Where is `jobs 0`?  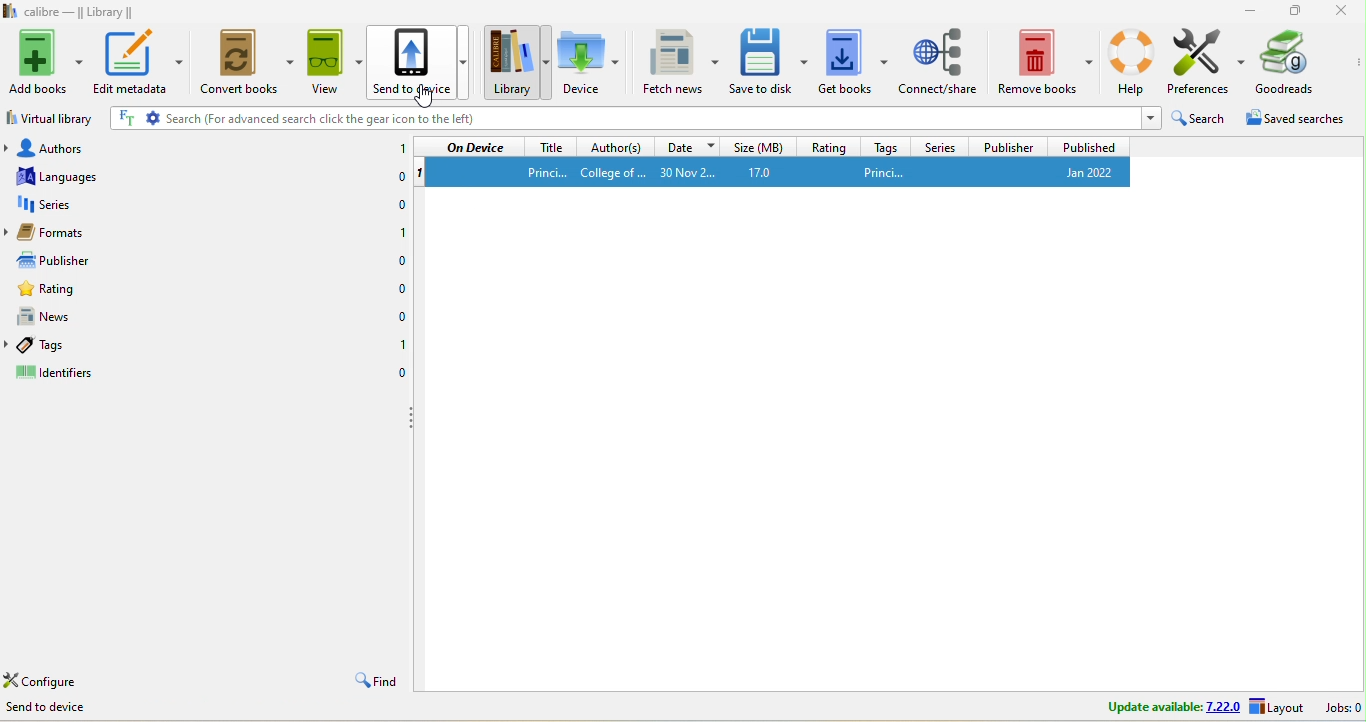
jobs 0 is located at coordinates (1342, 707).